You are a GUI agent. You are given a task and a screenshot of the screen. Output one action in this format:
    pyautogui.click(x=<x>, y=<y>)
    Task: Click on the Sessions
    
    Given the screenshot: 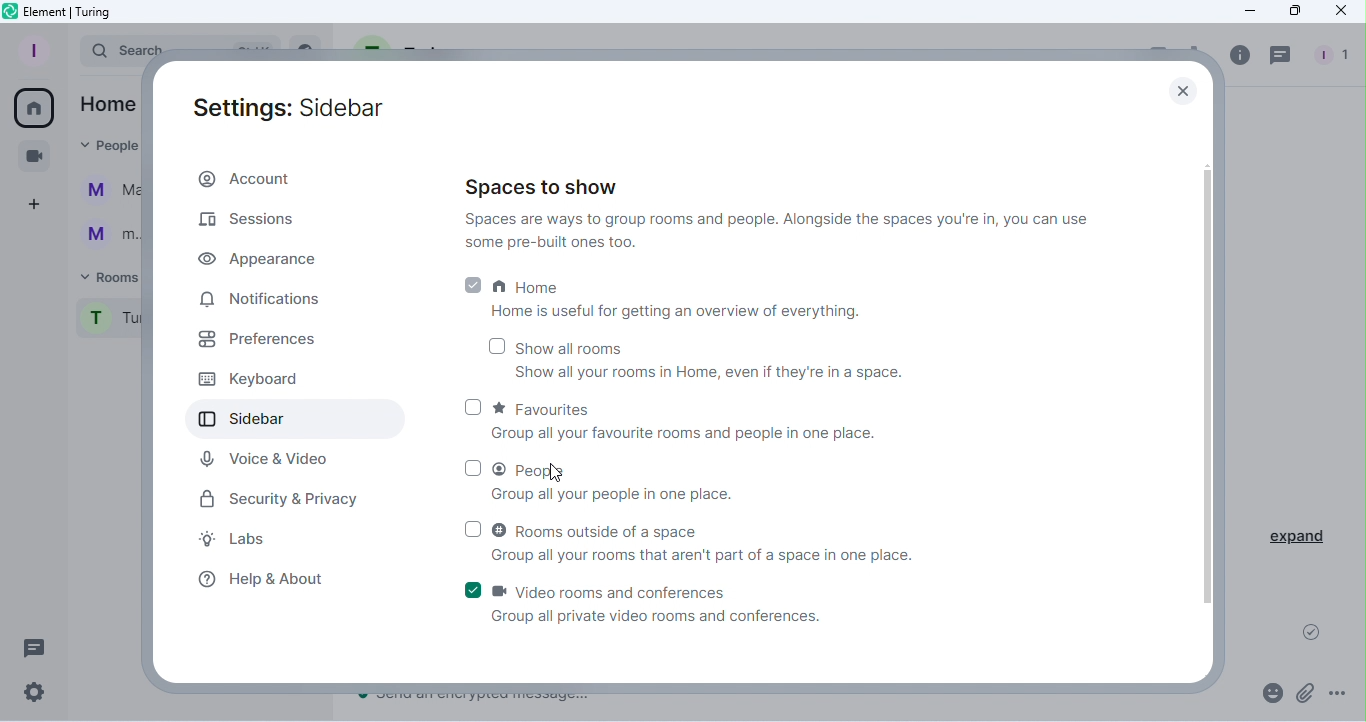 What is the action you would take?
    pyautogui.click(x=245, y=215)
    